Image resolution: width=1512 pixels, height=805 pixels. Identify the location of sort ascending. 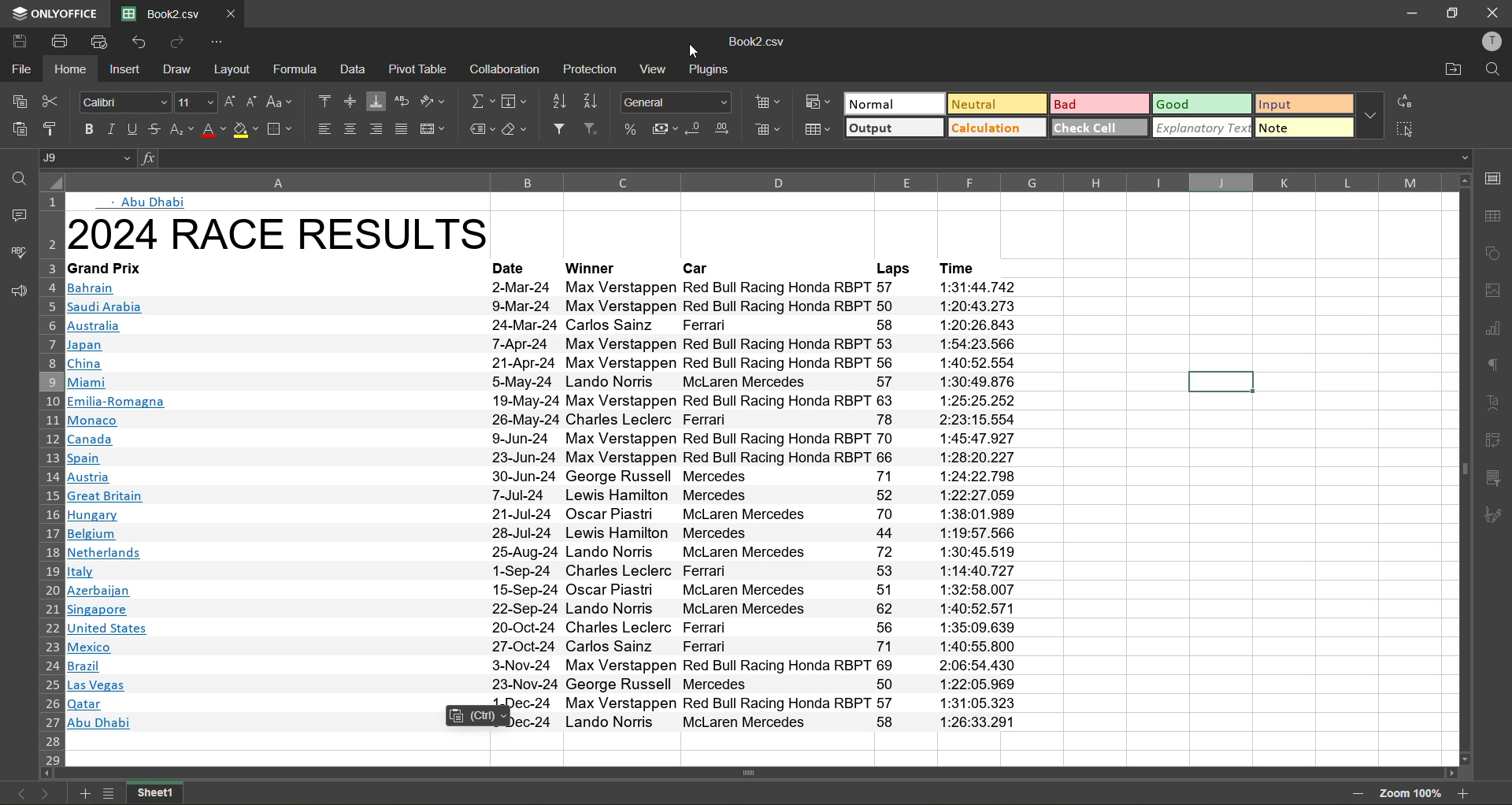
(556, 100).